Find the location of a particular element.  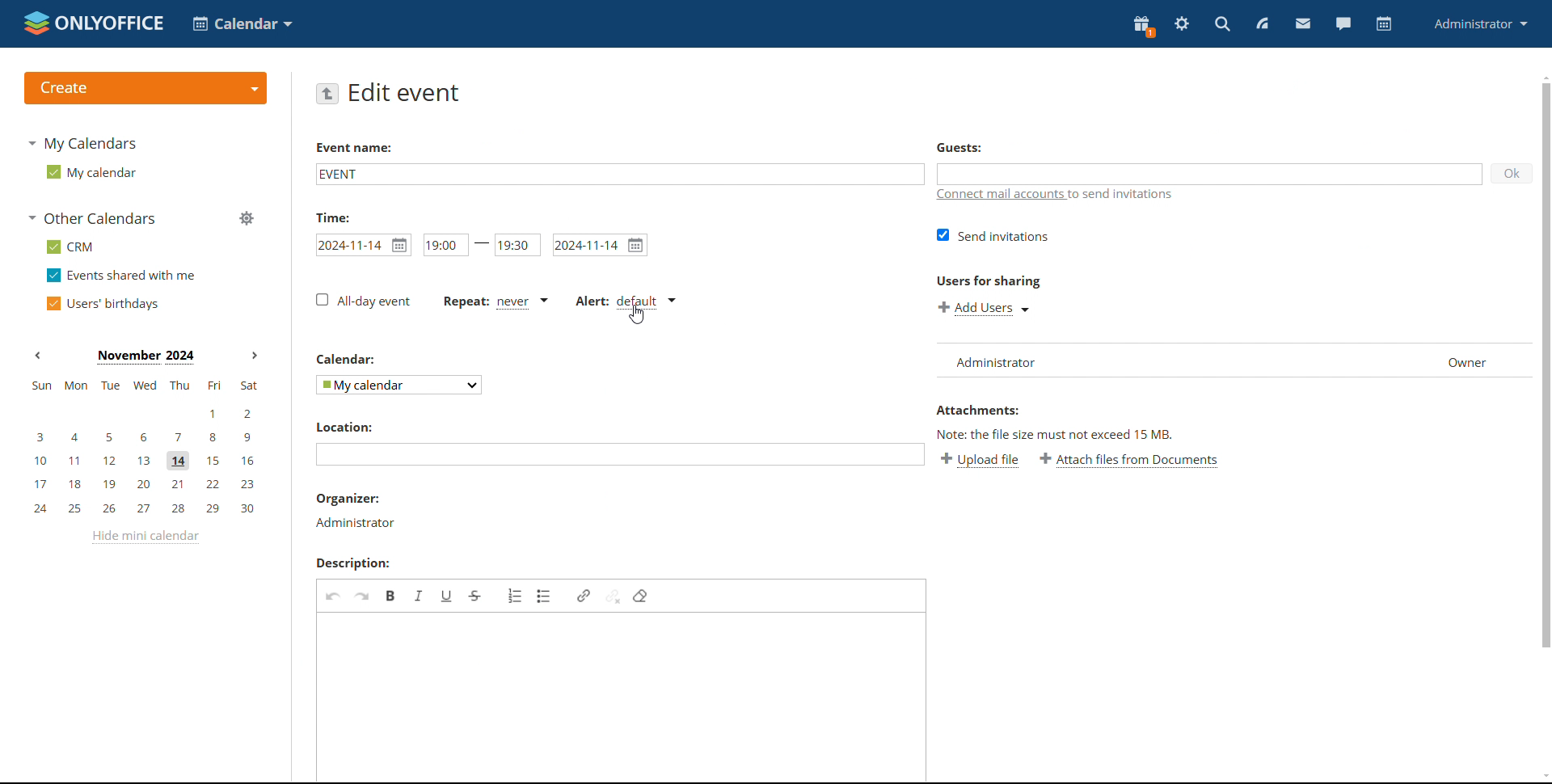

end time is located at coordinates (517, 246).